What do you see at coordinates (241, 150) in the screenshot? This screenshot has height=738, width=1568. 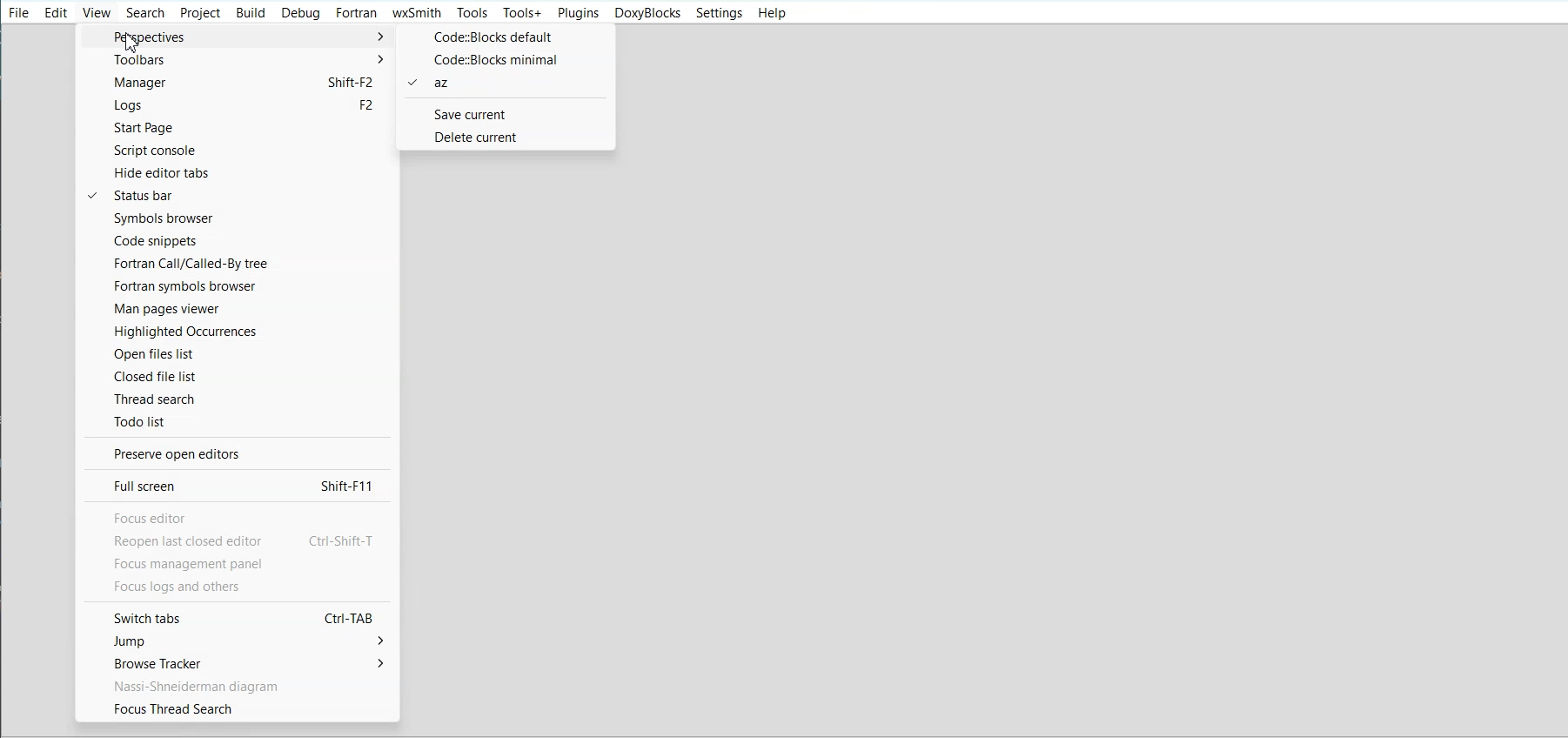 I see `Script console` at bounding box center [241, 150].